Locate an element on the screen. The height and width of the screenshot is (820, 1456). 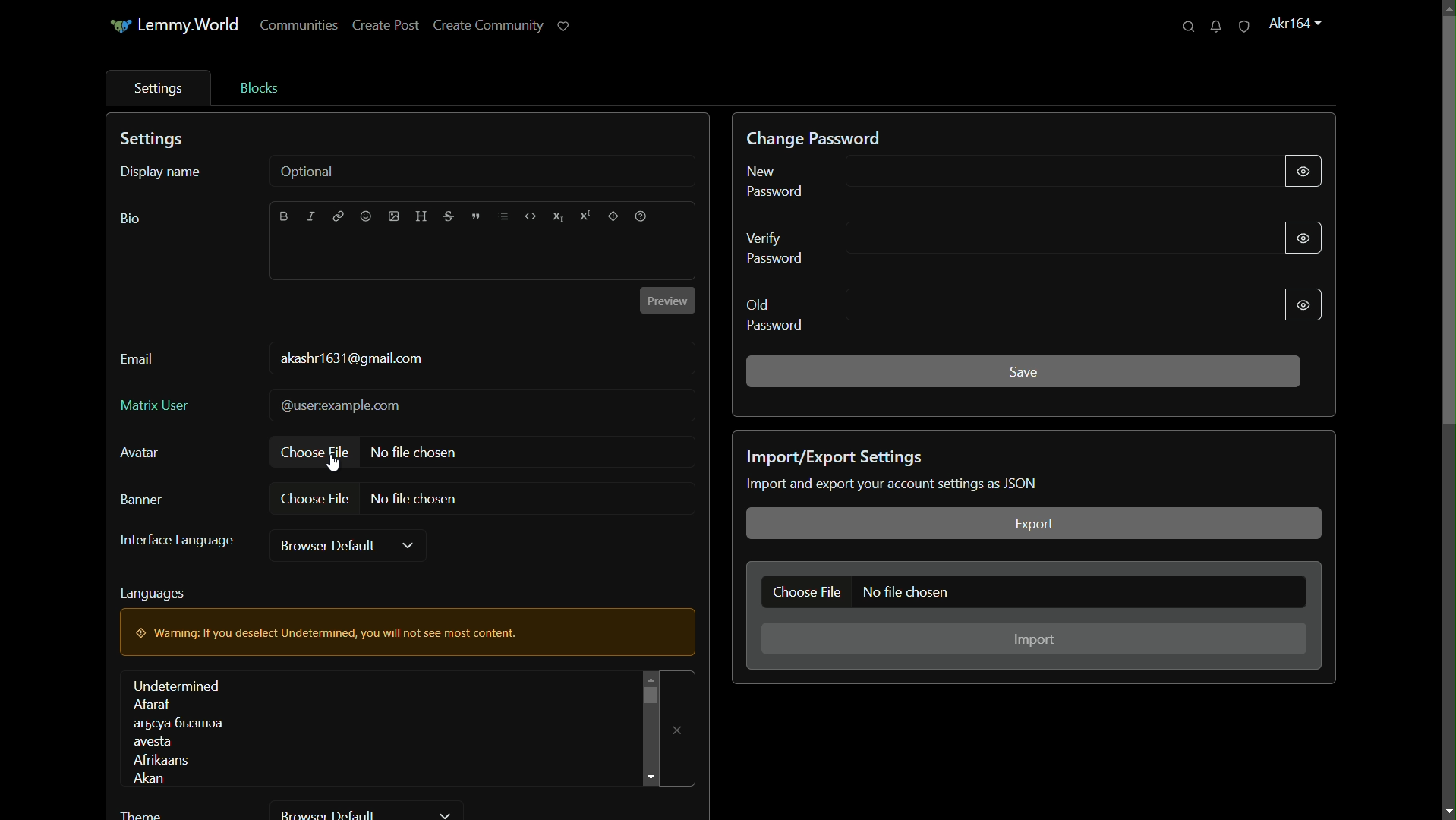
avatar is located at coordinates (140, 453).